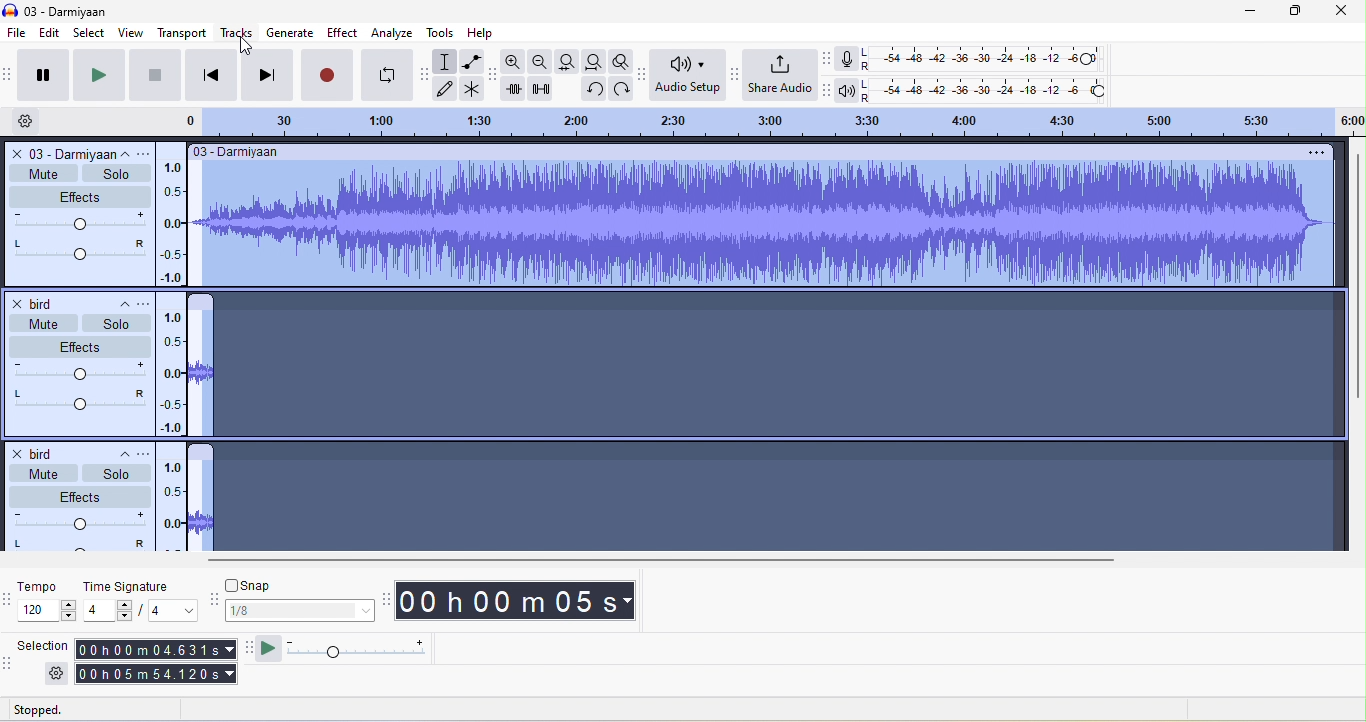  What do you see at coordinates (119, 457) in the screenshot?
I see `collapse` at bounding box center [119, 457].